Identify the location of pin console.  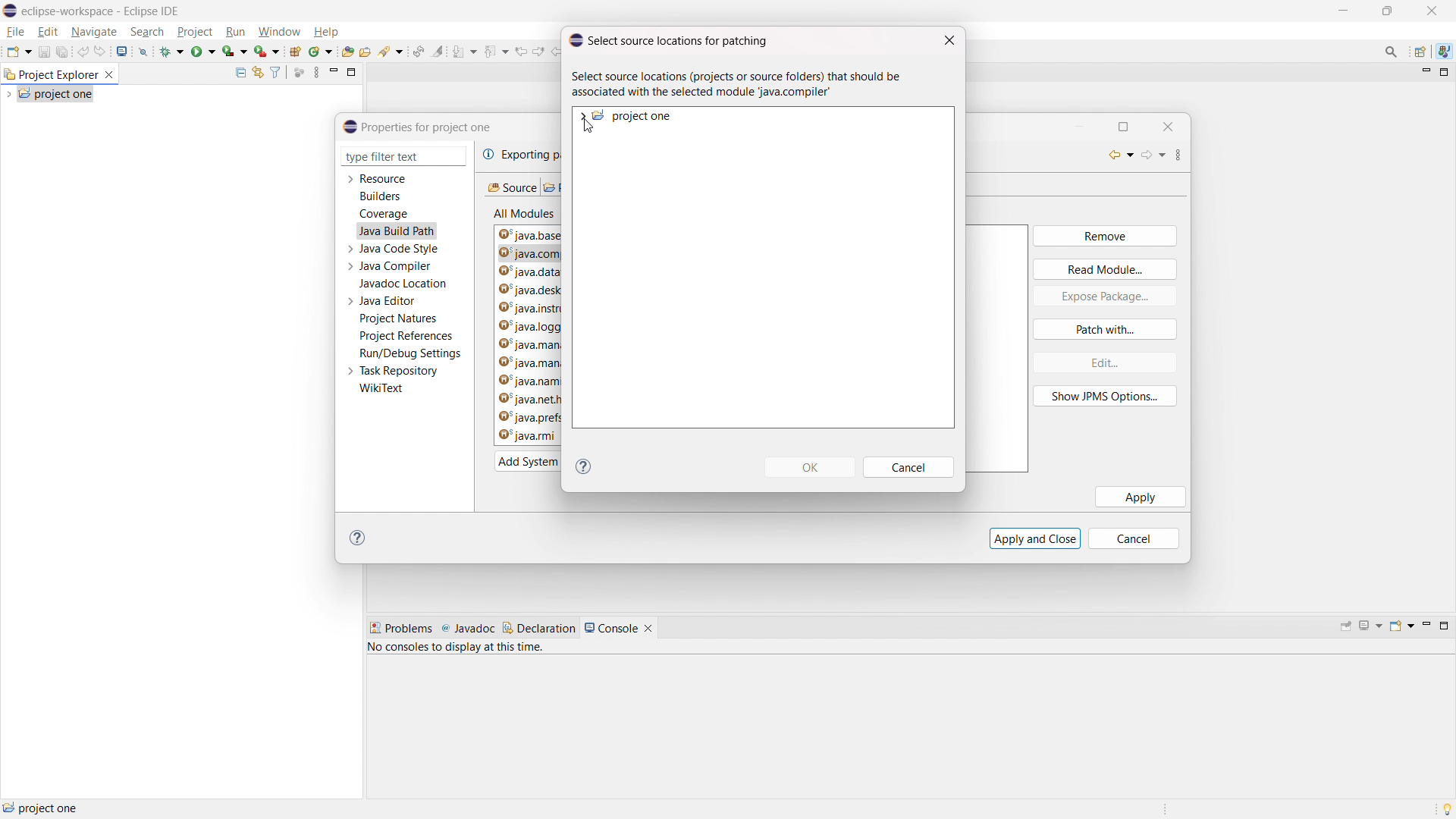
(1346, 627).